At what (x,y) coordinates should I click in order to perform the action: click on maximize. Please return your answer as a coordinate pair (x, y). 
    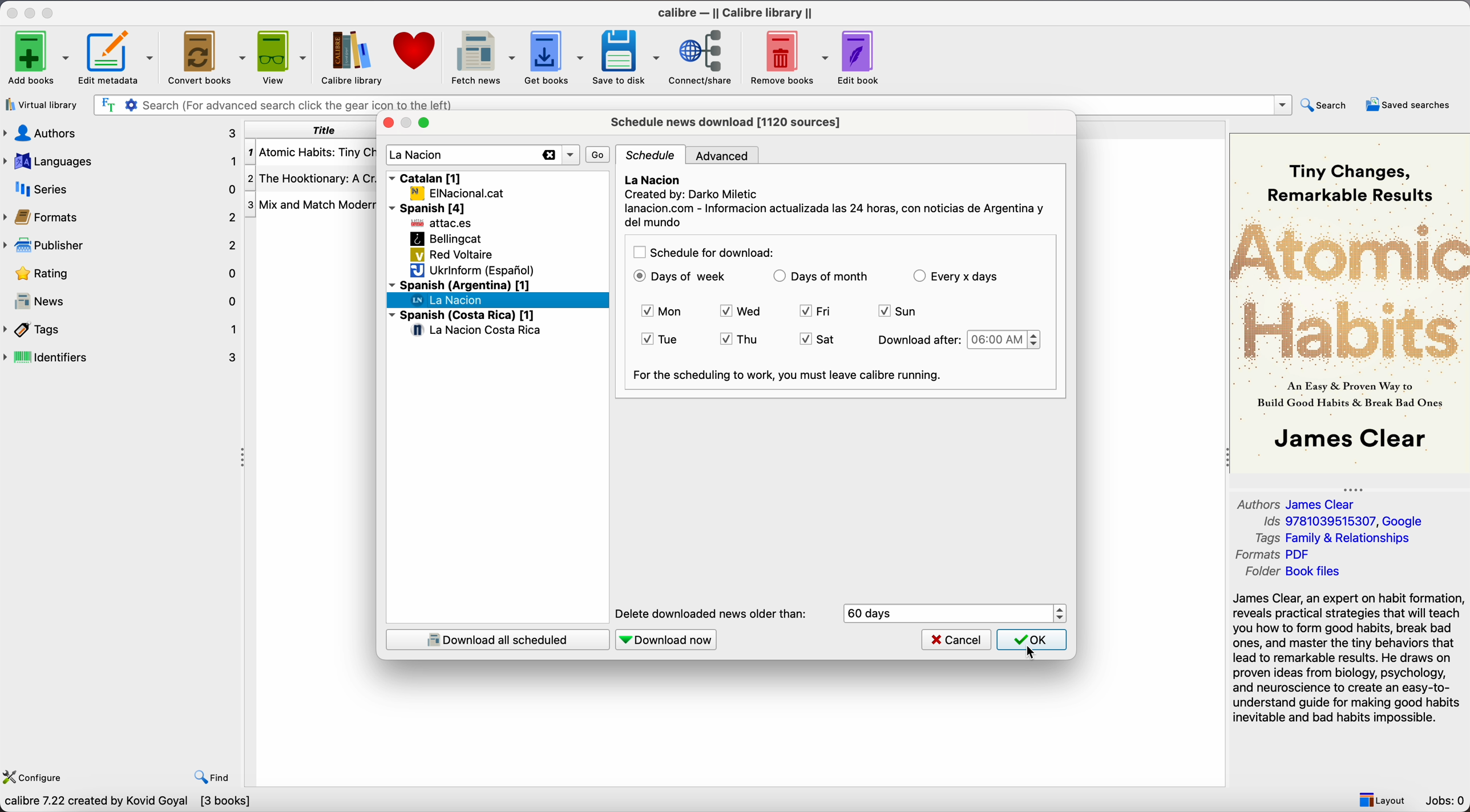
    Looking at the image, I should click on (49, 11).